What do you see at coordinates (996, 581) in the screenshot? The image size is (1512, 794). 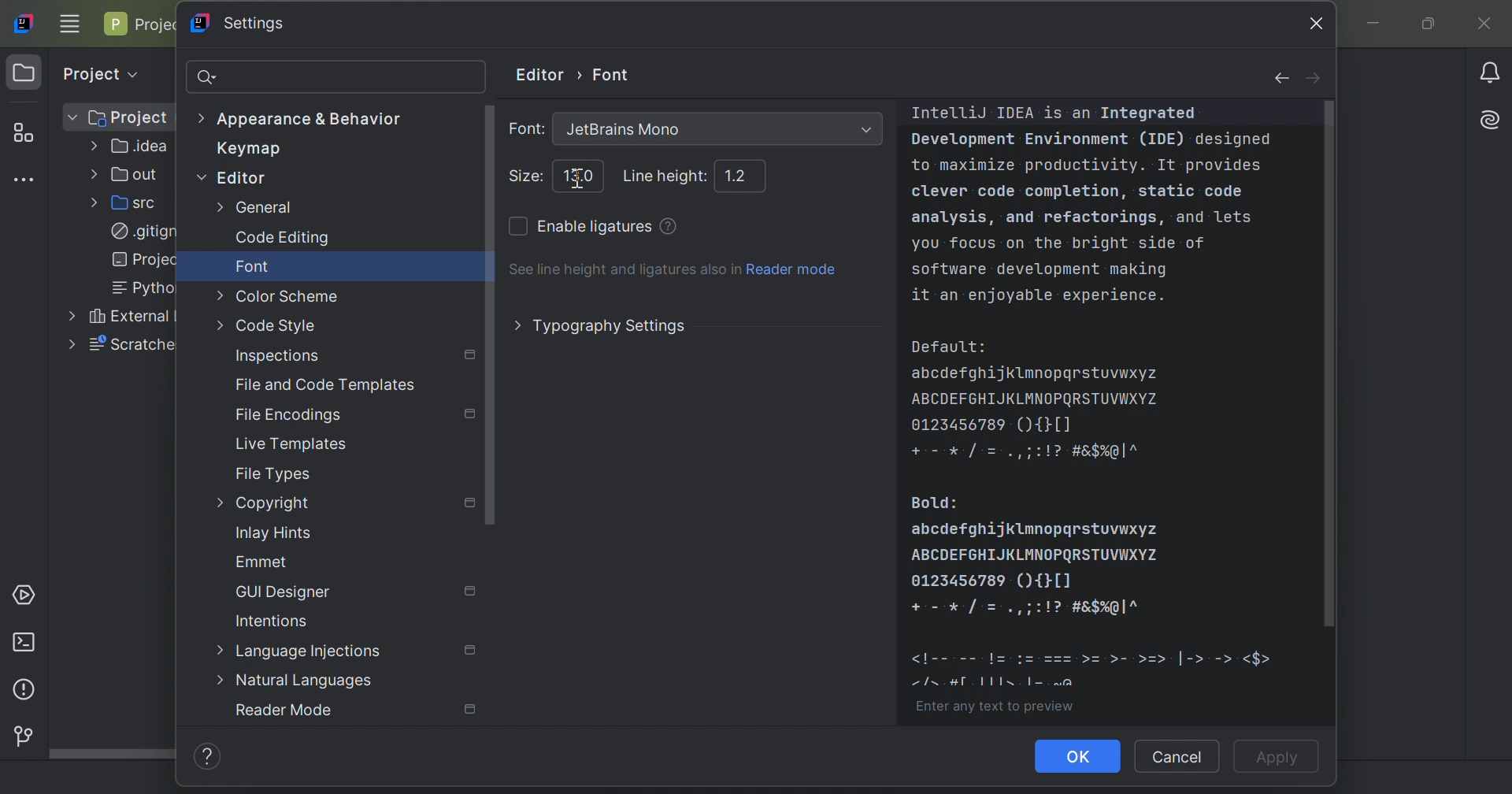 I see `0123456789(){}[]` at bounding box center [996, 581].